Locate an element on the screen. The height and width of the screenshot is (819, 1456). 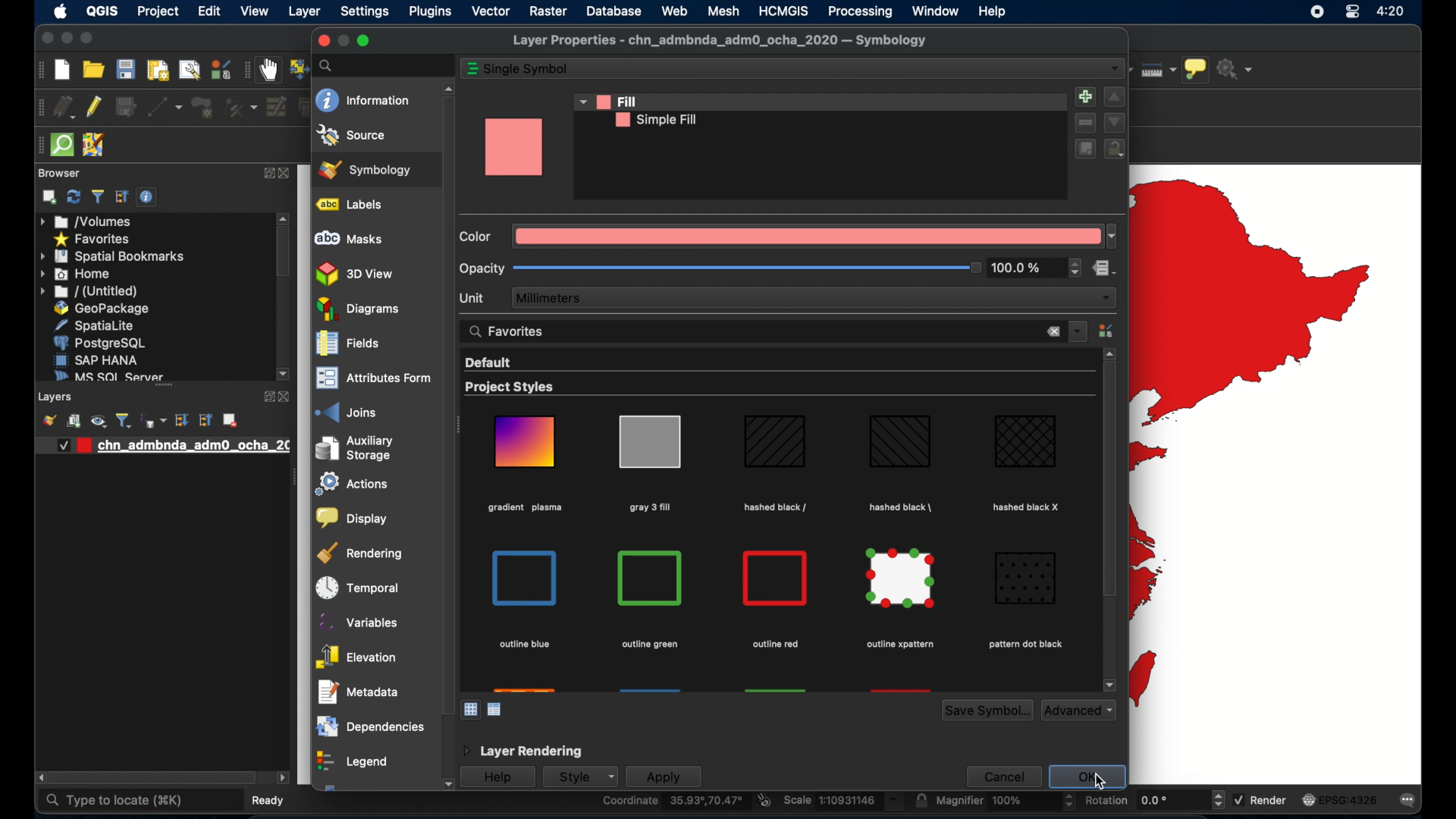
scroll up arrow is located at coordinates (1110, 353).